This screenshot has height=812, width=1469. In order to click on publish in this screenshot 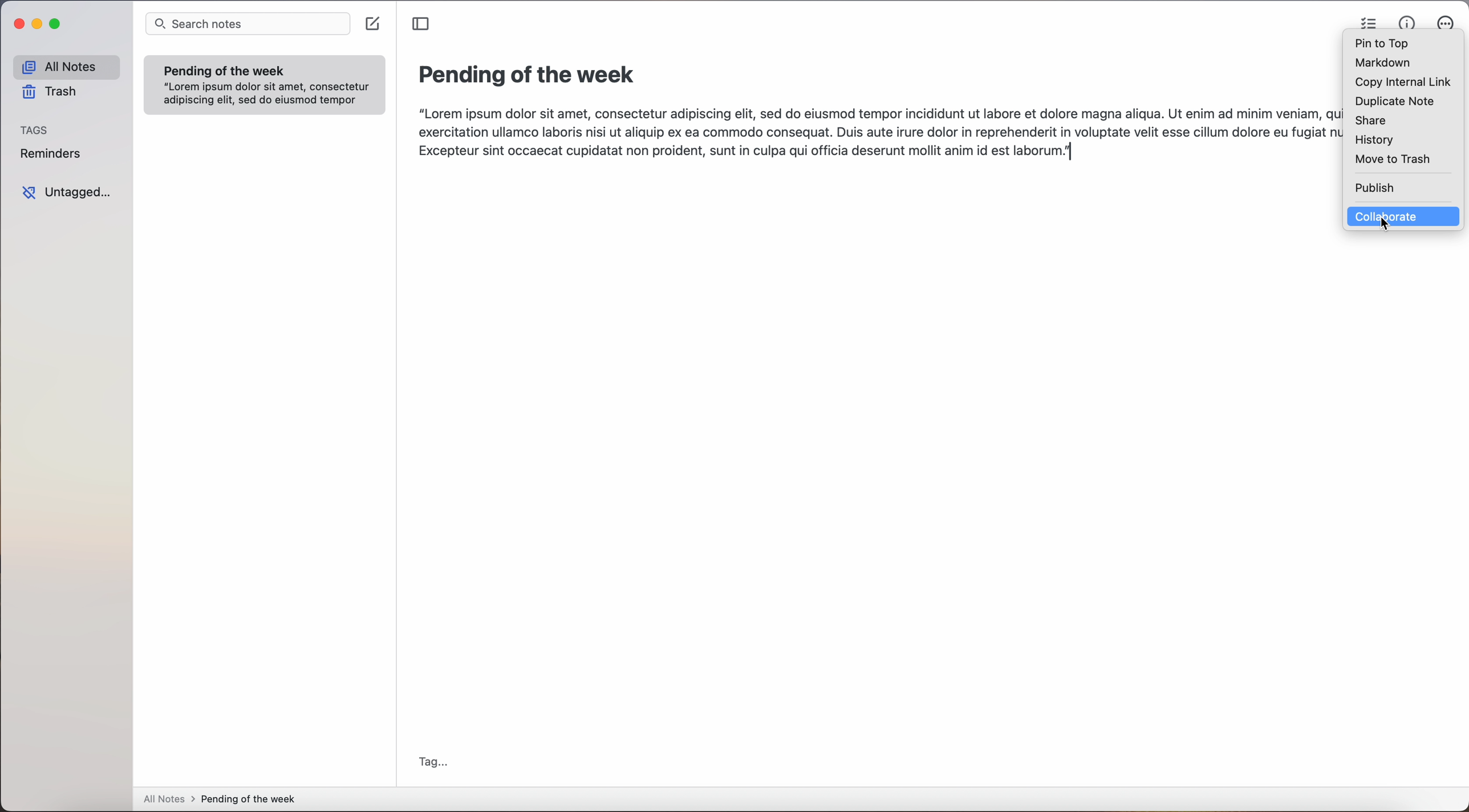, I will do `click(1374, 188)`.